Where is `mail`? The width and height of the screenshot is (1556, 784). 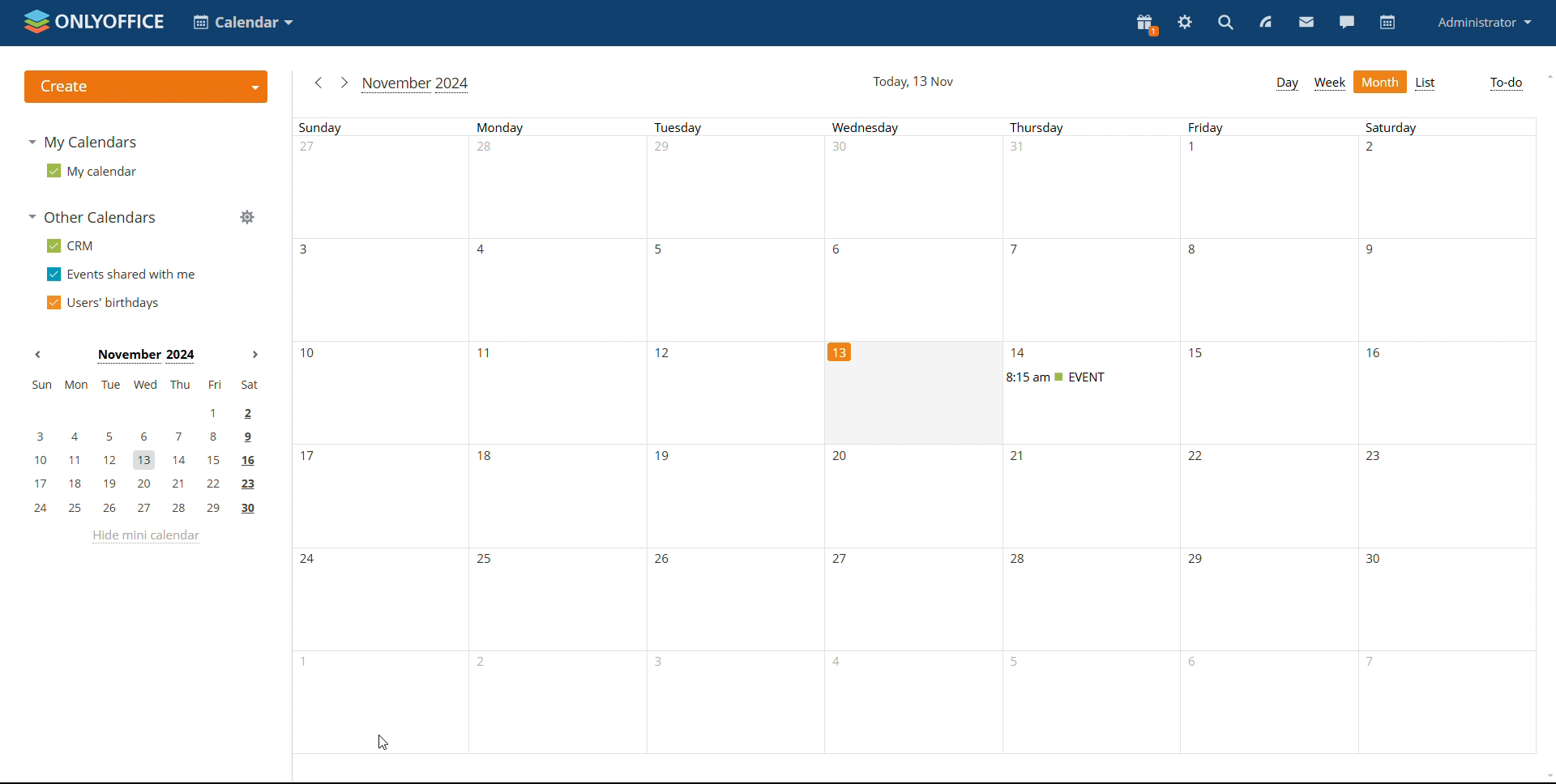
mail is located at coordinates (1306, 22).